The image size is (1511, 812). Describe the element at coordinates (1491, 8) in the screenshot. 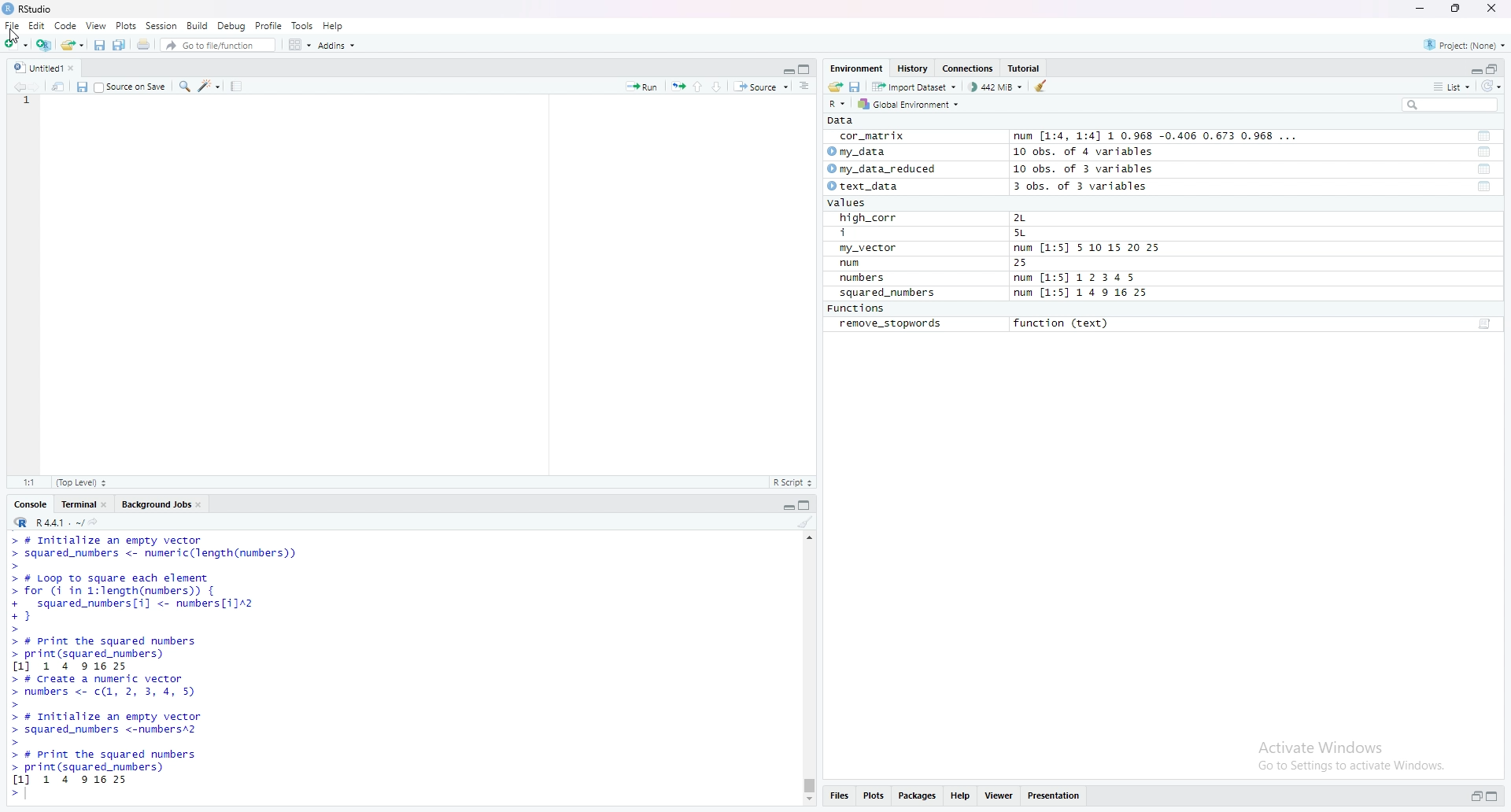

I see `Close` at that location.